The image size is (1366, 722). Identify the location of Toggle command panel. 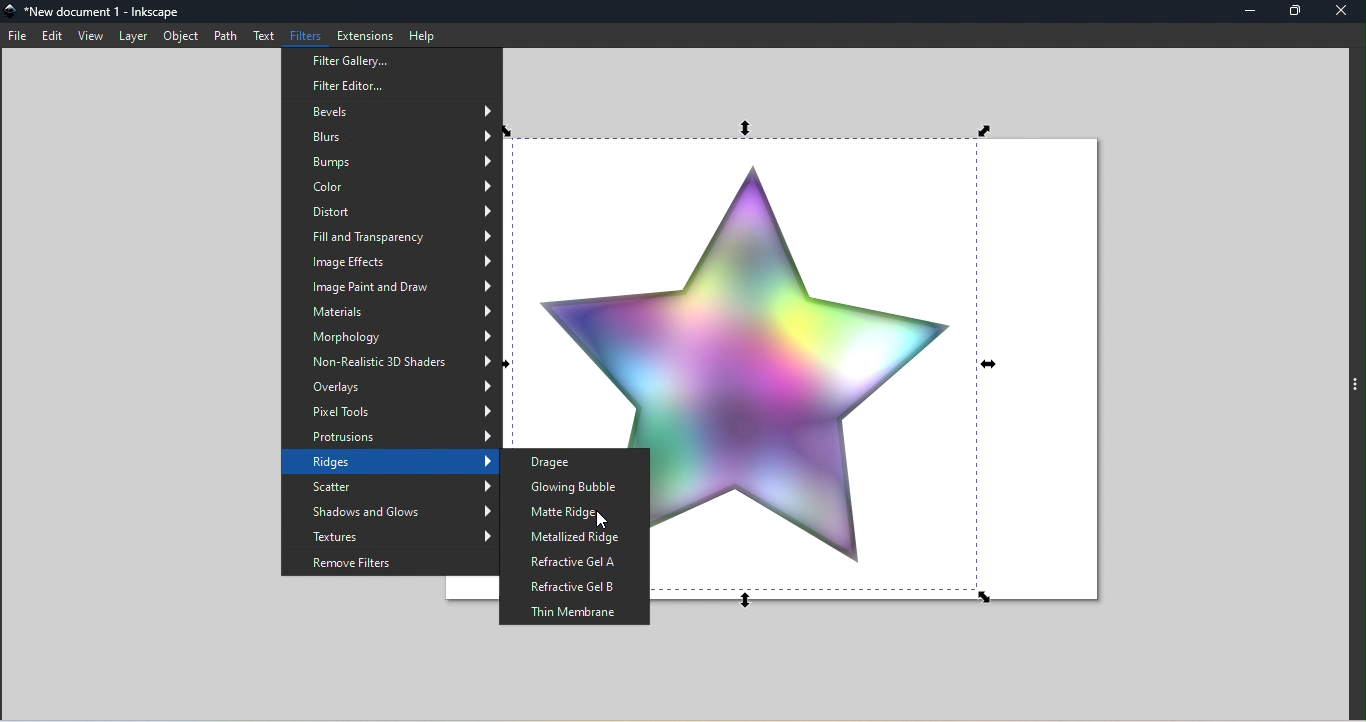
(1357, 387).